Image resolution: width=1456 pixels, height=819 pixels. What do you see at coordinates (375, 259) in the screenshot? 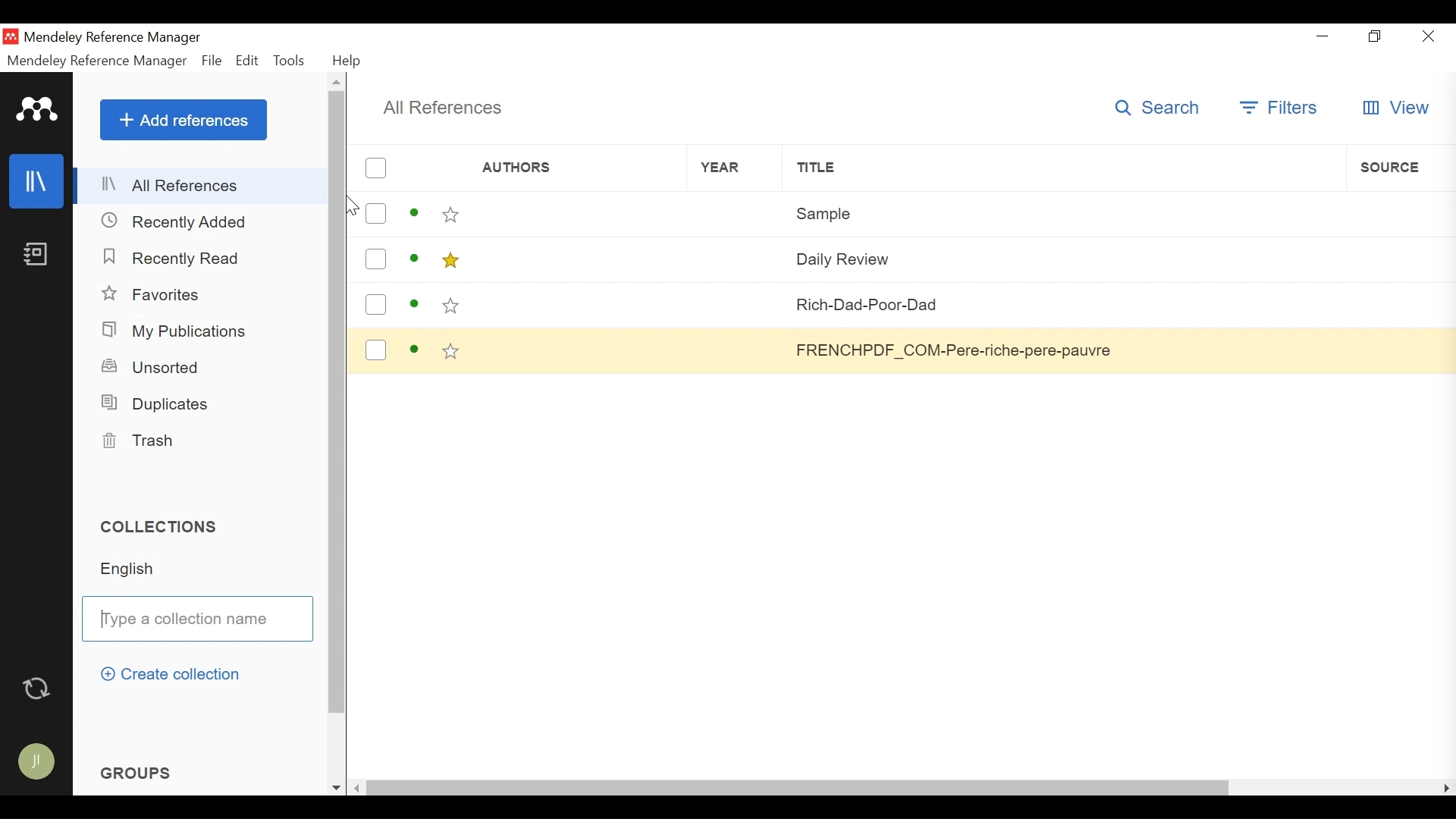
I see `(un)select` at bounding box center [375, 259].